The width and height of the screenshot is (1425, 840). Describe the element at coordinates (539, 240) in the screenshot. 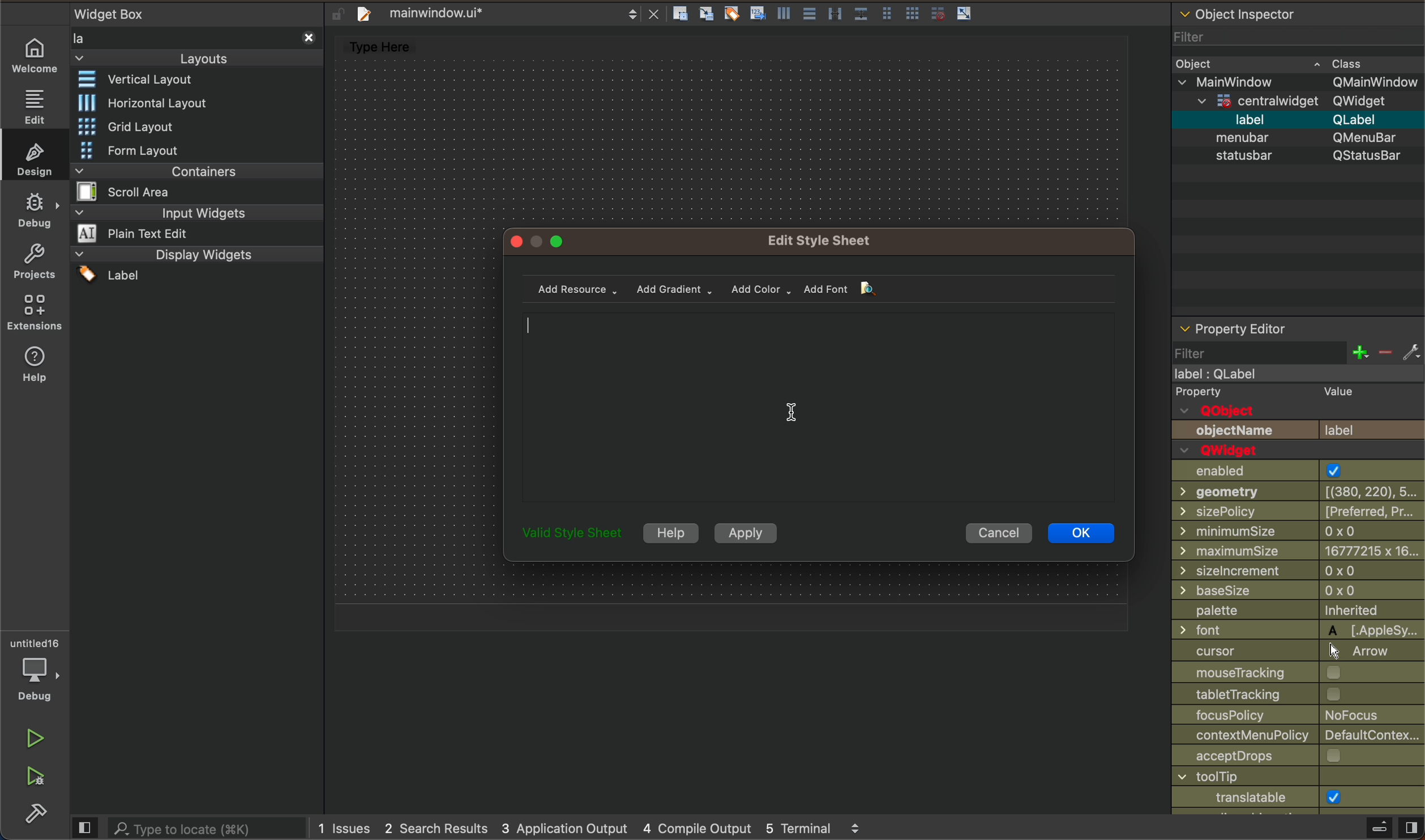

I see `window actions` at that location.